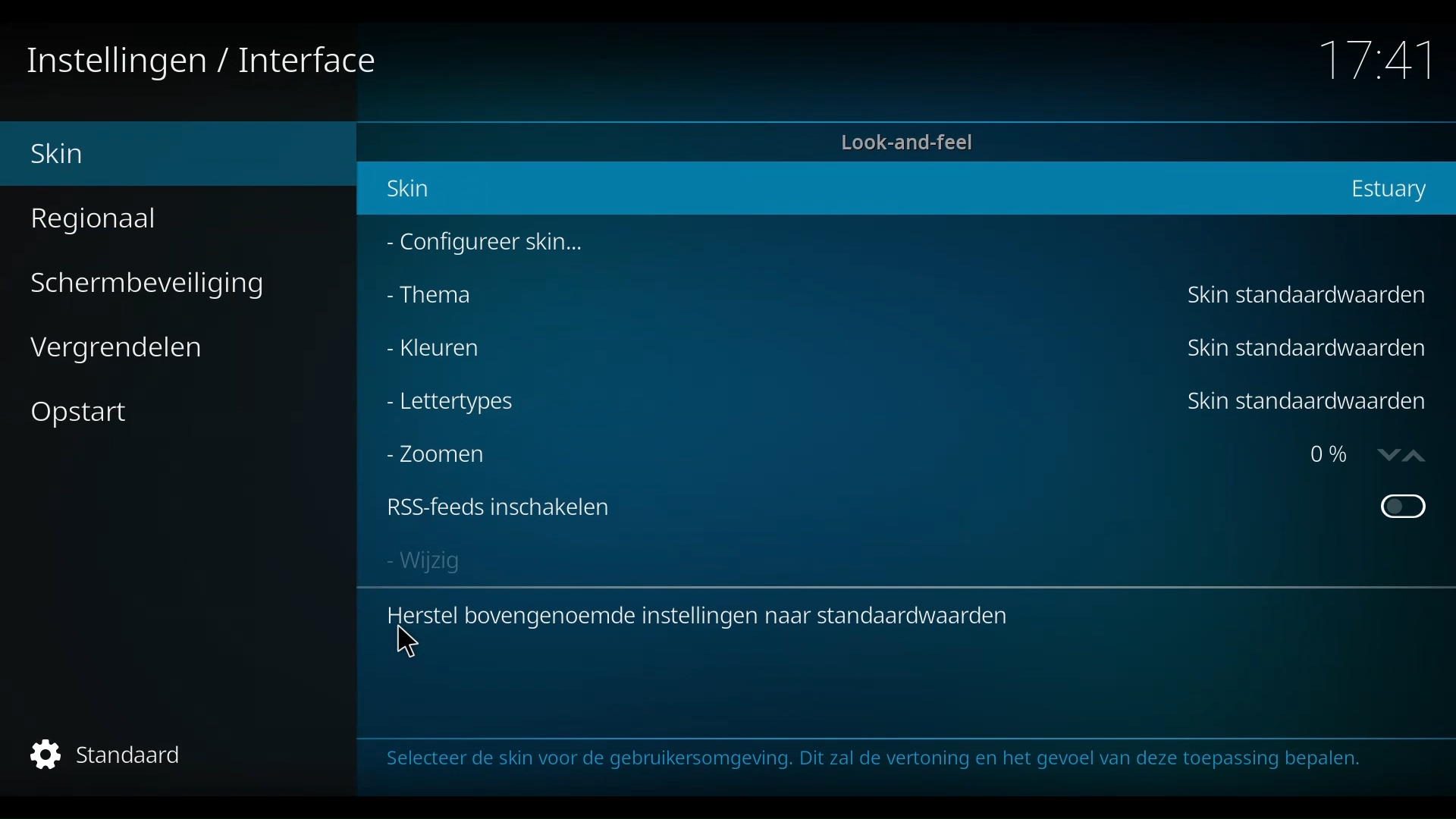 The width and height of the screenshot is (1456, 819). I want to click on Skin, so click(69, 152).